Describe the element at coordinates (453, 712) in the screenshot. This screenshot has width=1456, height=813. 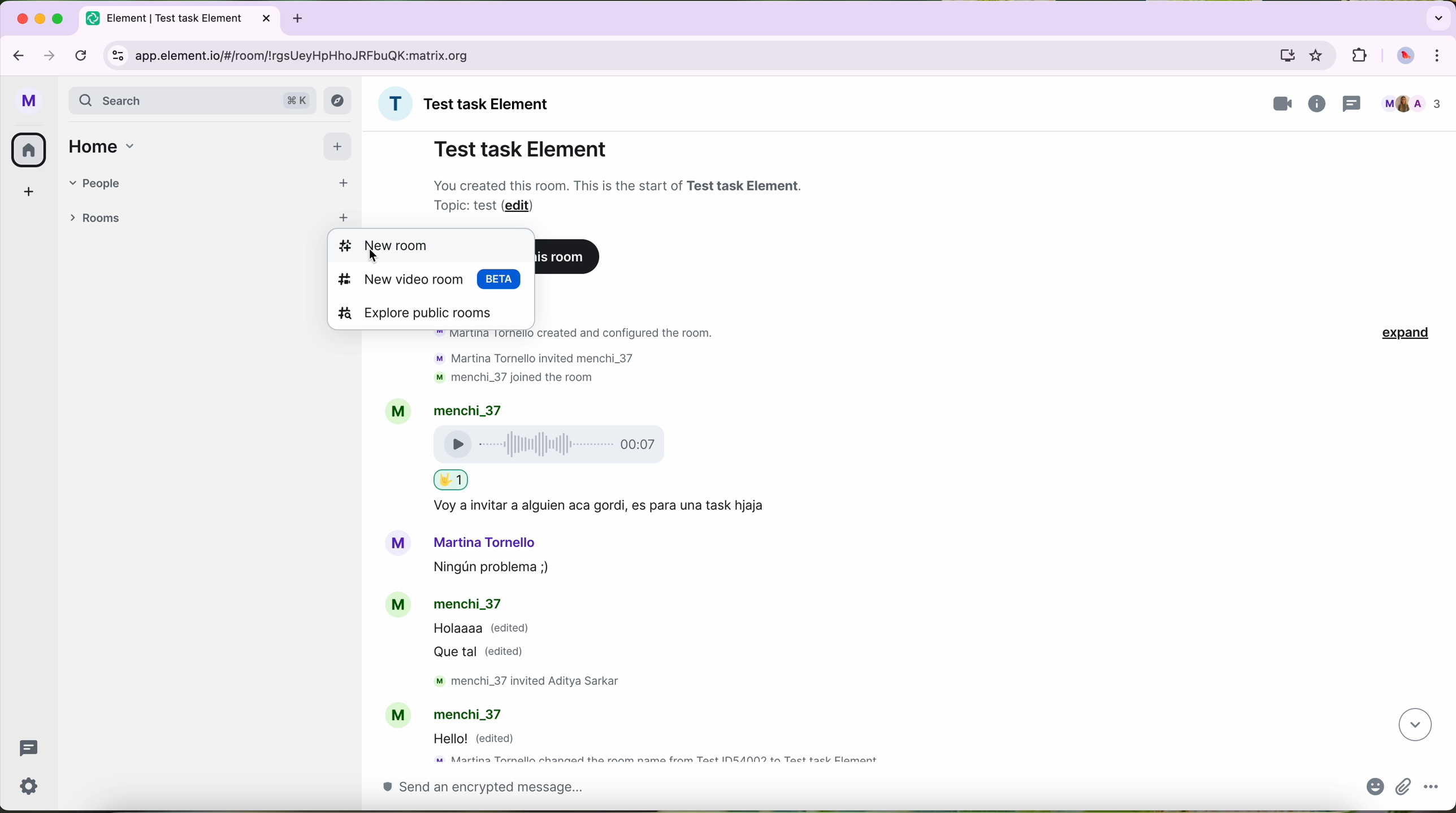
I see `account` at that location.